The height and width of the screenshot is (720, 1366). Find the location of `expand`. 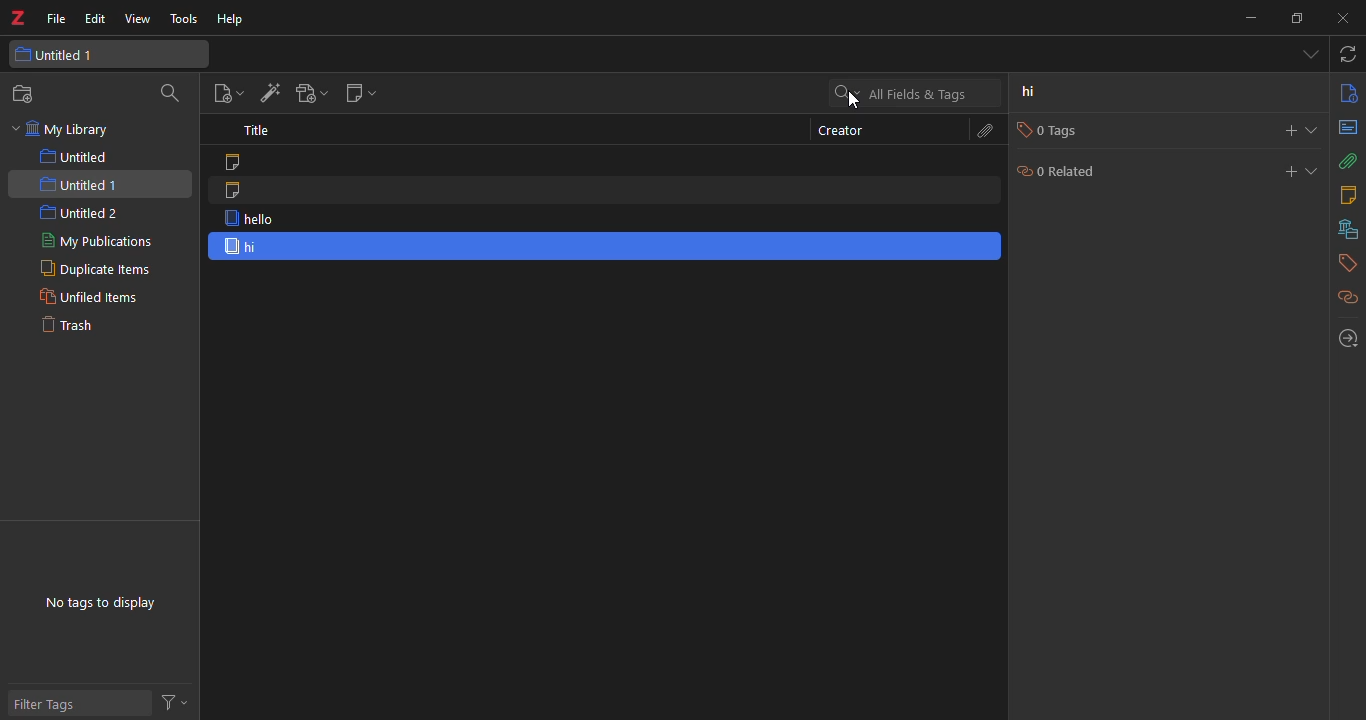

expand is located at coordinates (1313, 130).